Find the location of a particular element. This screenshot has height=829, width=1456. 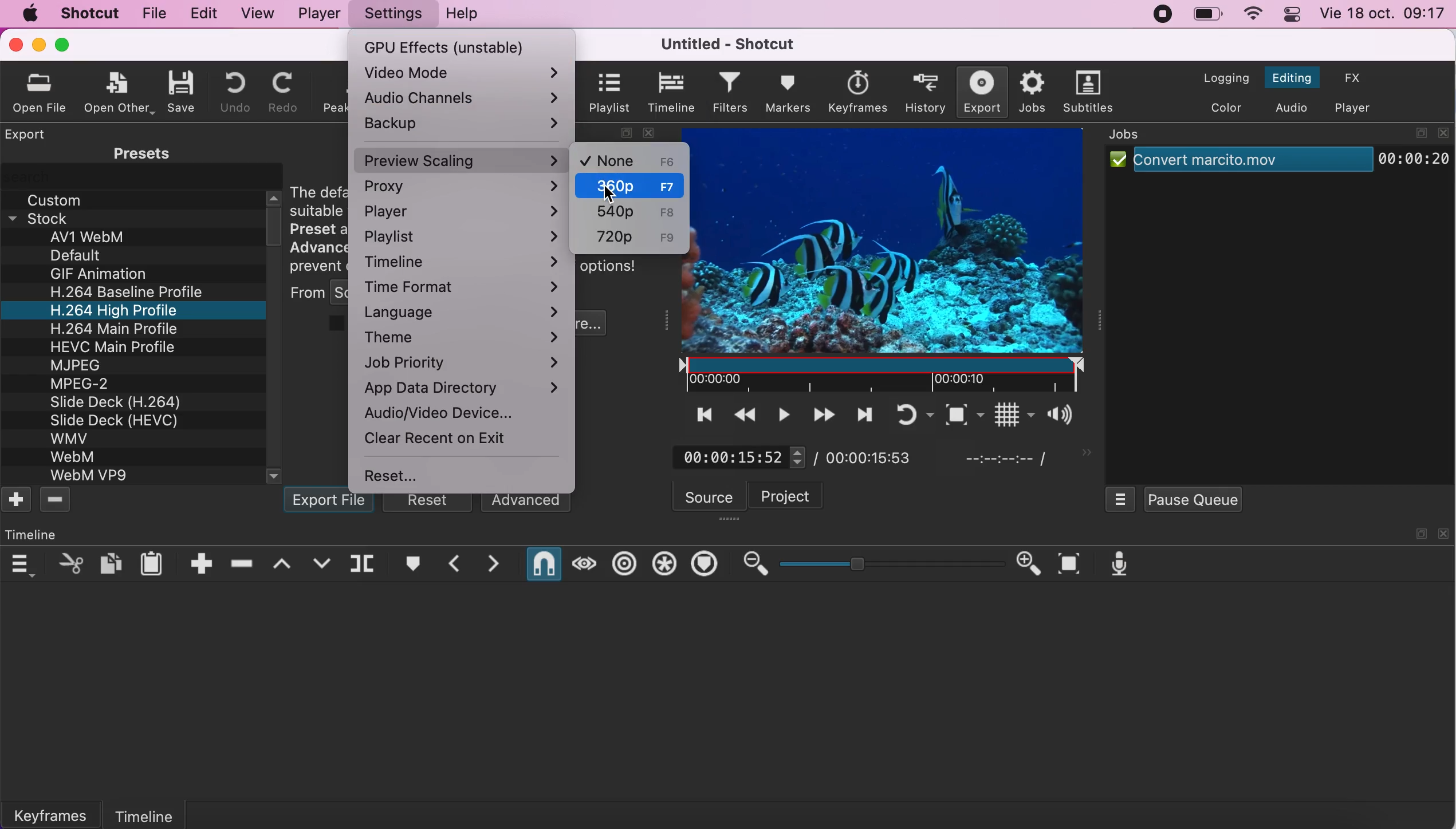

WebM VP9 is located at coordinates (91, 476).